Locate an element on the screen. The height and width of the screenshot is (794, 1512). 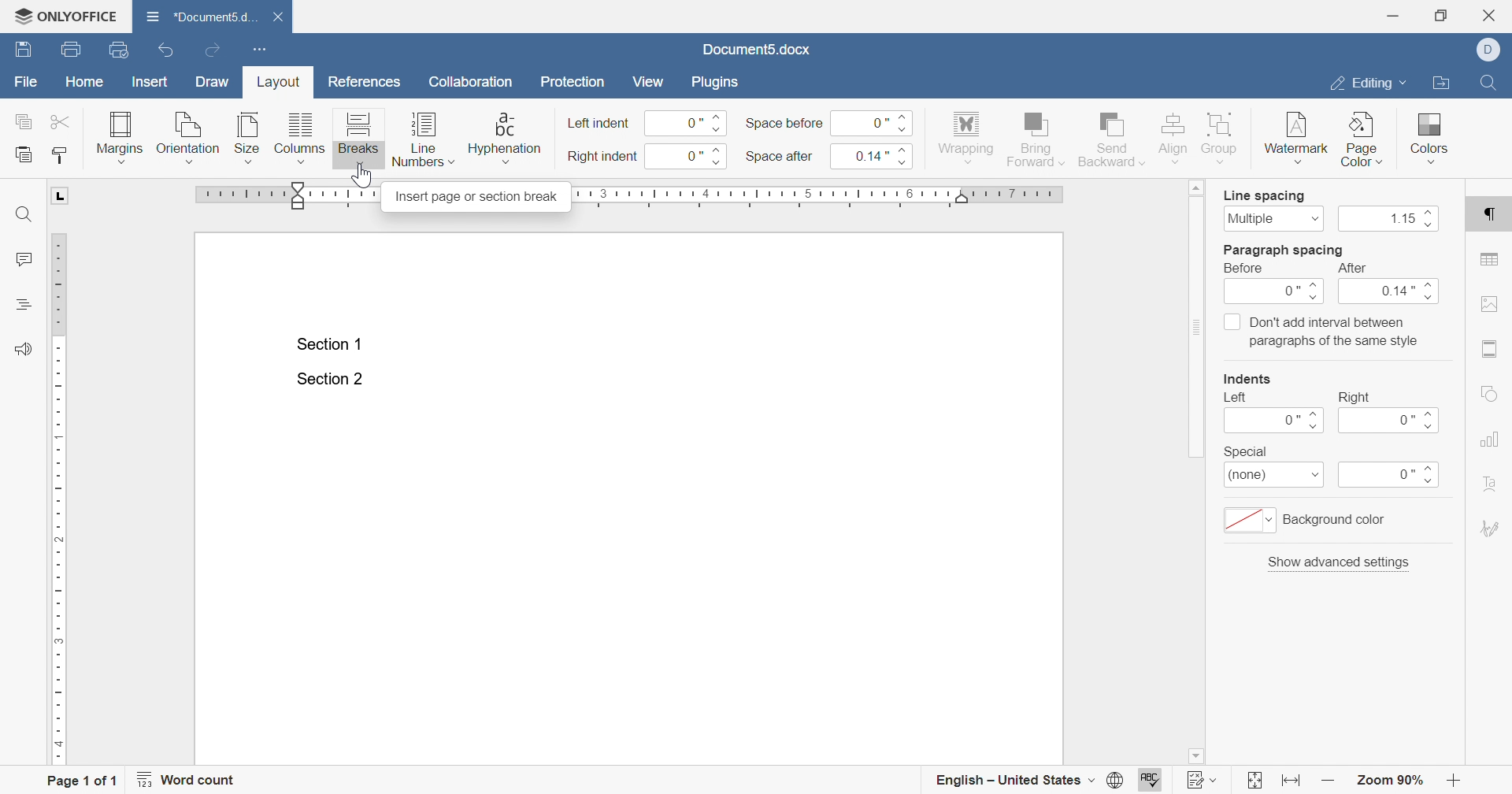
page color is located at coordinates (1363, 139).